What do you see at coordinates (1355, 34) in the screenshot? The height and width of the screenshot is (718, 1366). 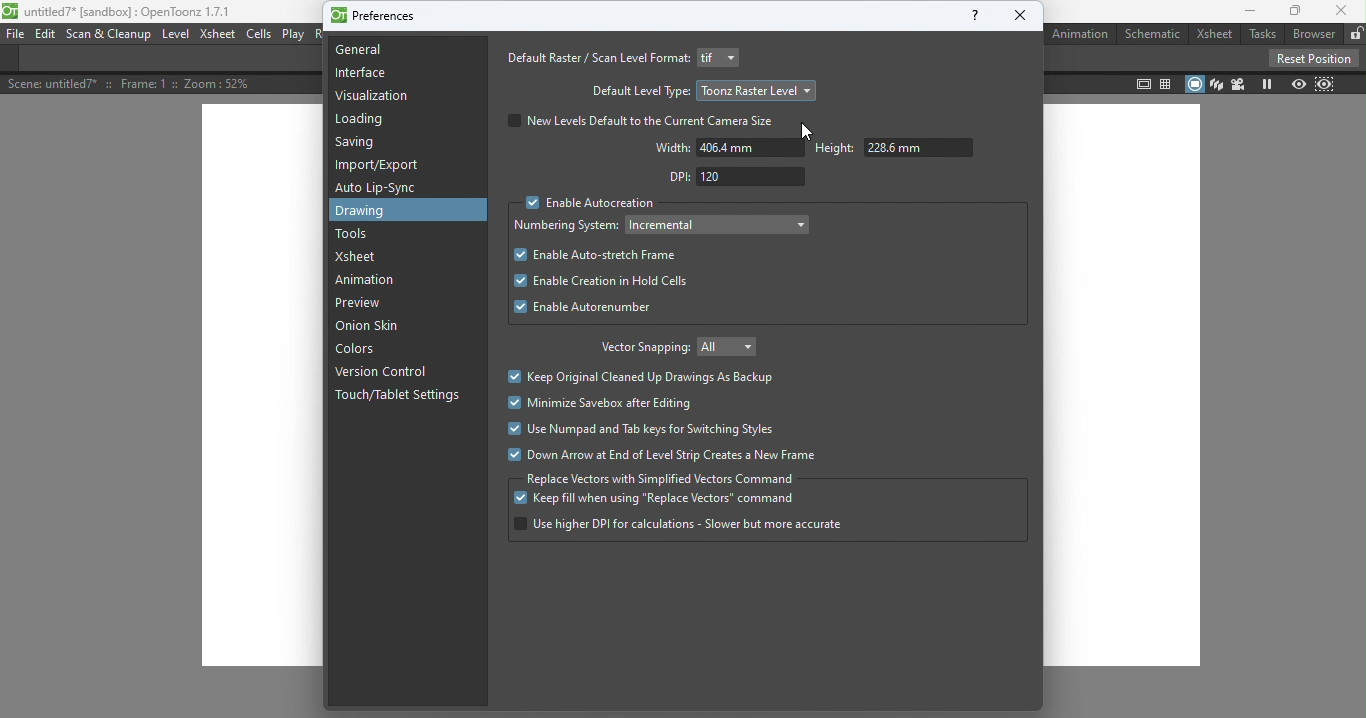 I see `Lock rooms tab` at bounding box center [1355, 34].